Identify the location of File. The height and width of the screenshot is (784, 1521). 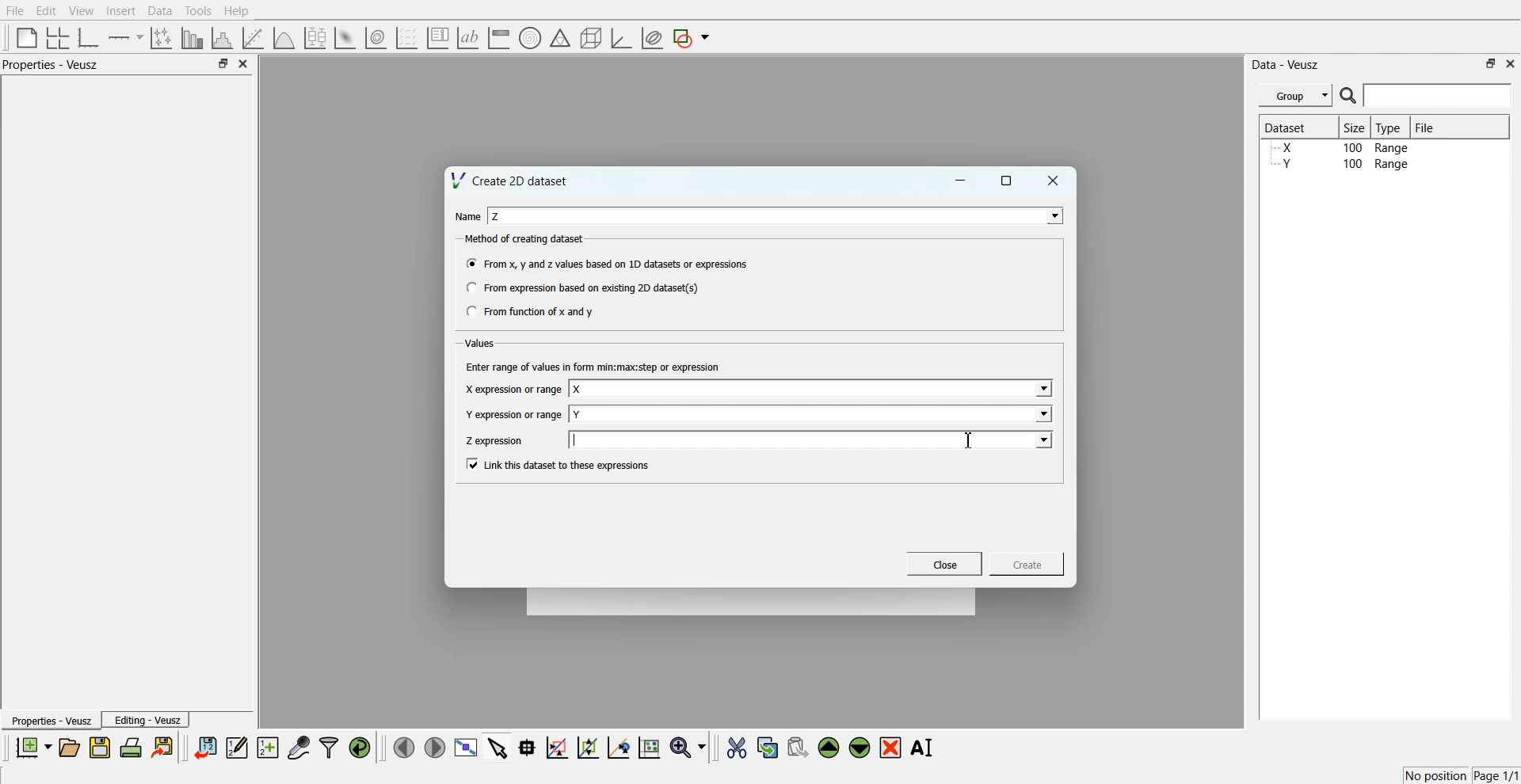
(15, 10).